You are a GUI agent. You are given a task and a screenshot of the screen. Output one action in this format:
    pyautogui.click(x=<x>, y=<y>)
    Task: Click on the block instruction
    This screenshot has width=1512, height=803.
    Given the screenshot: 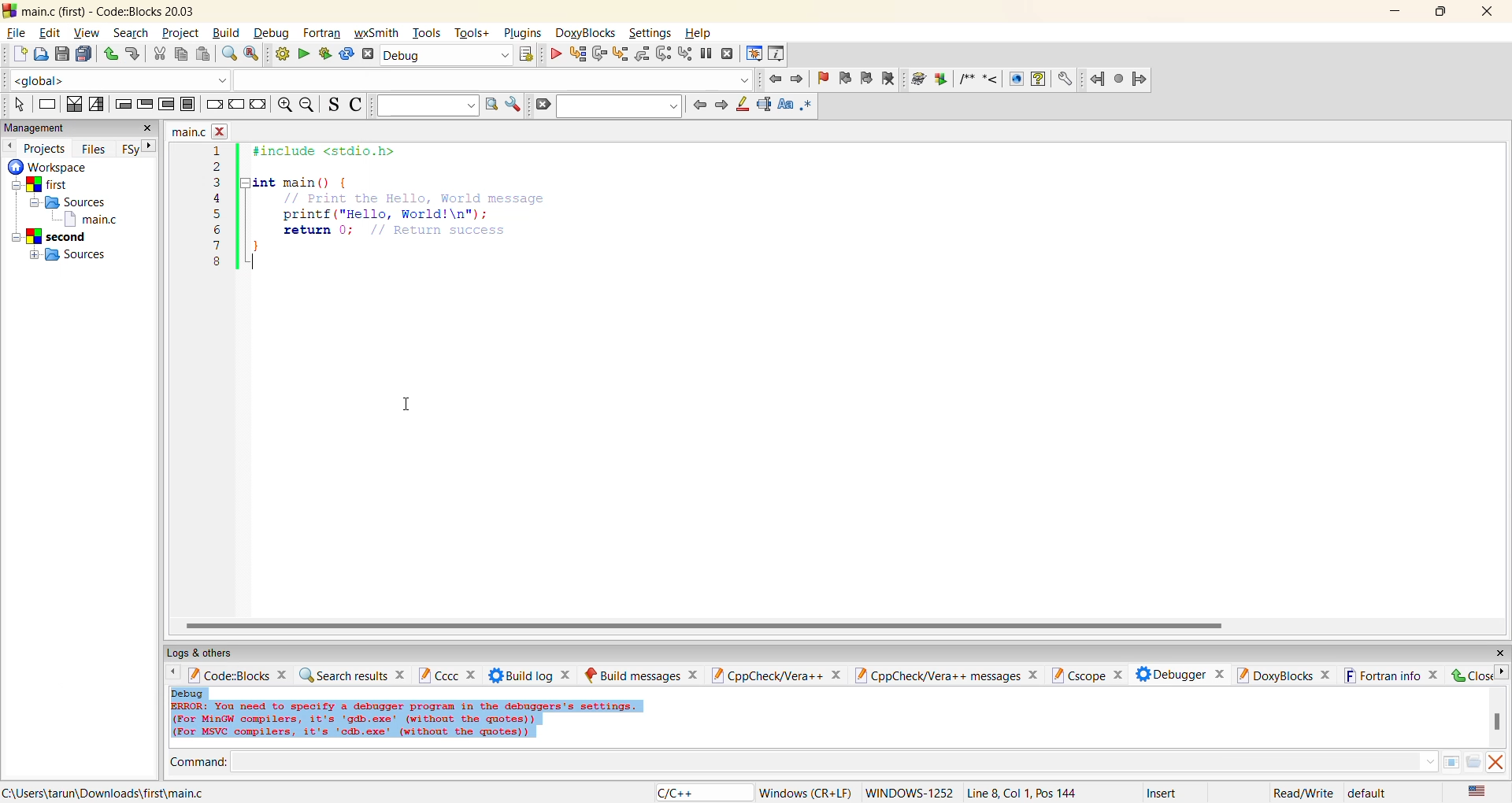 What is the action you would take?
    pyautogui.click(x=187, y=105)
    